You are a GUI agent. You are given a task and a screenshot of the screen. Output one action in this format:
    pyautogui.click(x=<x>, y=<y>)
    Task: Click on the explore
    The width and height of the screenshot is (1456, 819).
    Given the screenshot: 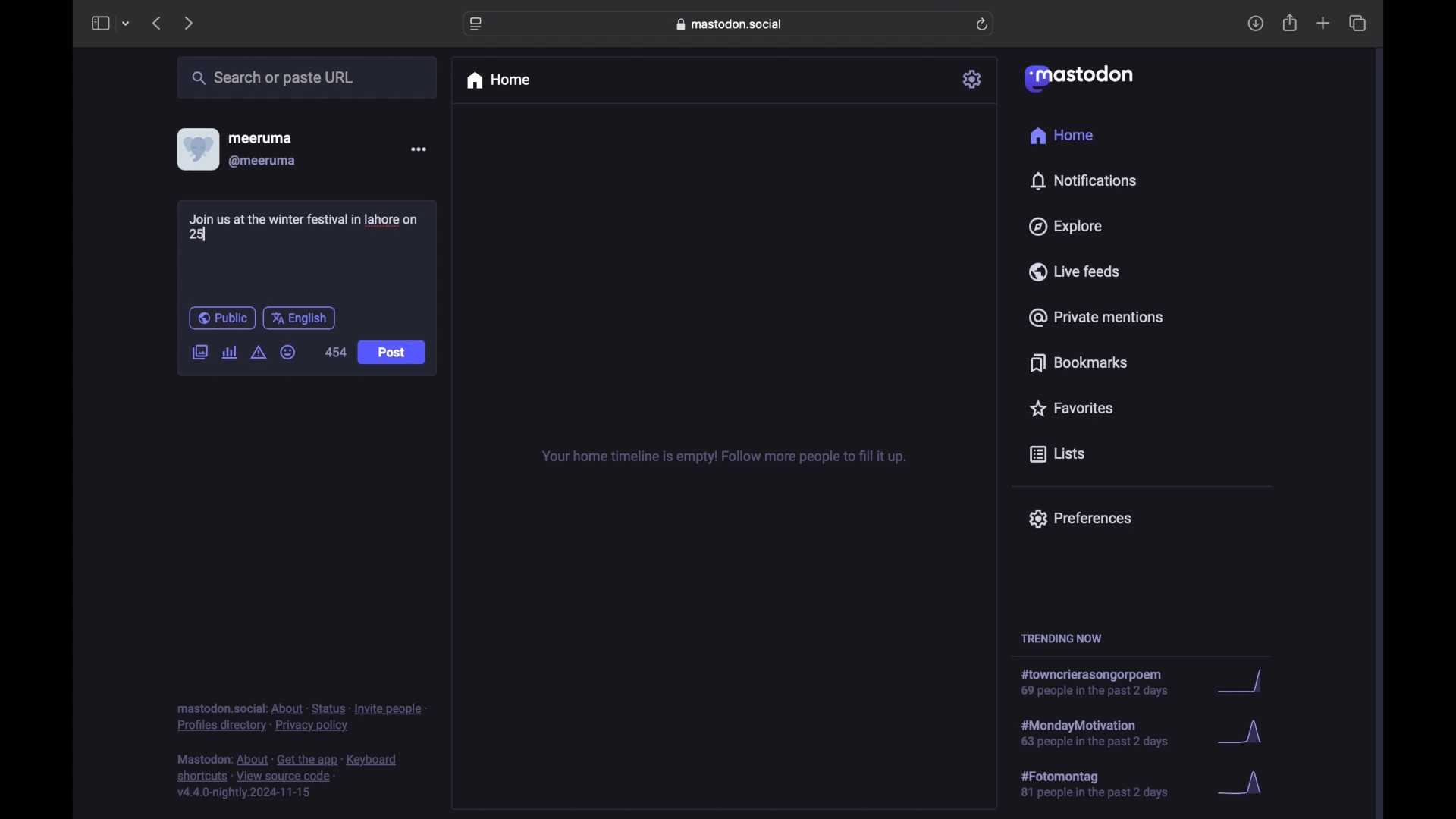 What is the action you would take?
    pyautogui.click(x=1064, y=227)
    